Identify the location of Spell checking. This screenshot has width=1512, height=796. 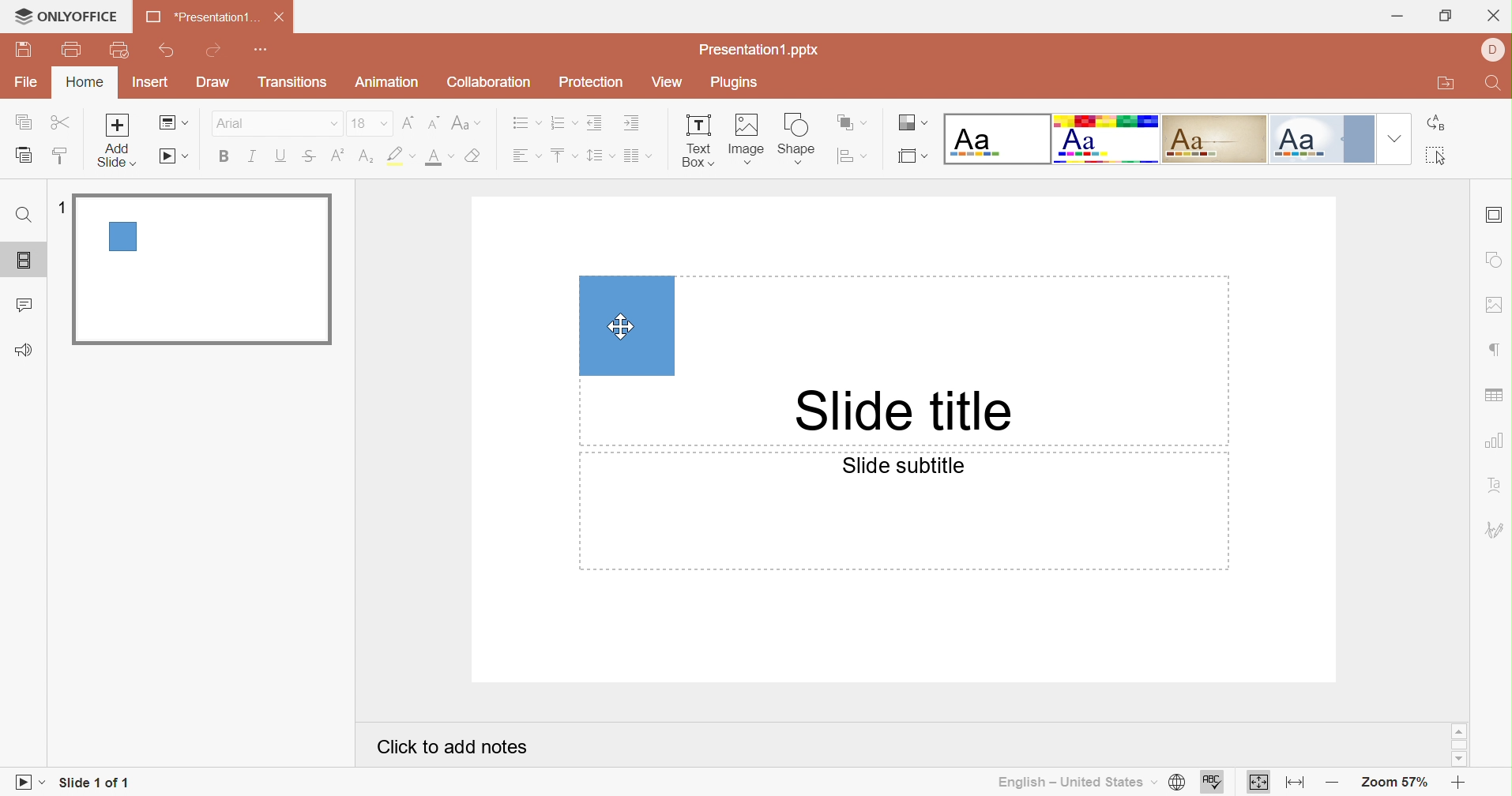
(1213, 784).